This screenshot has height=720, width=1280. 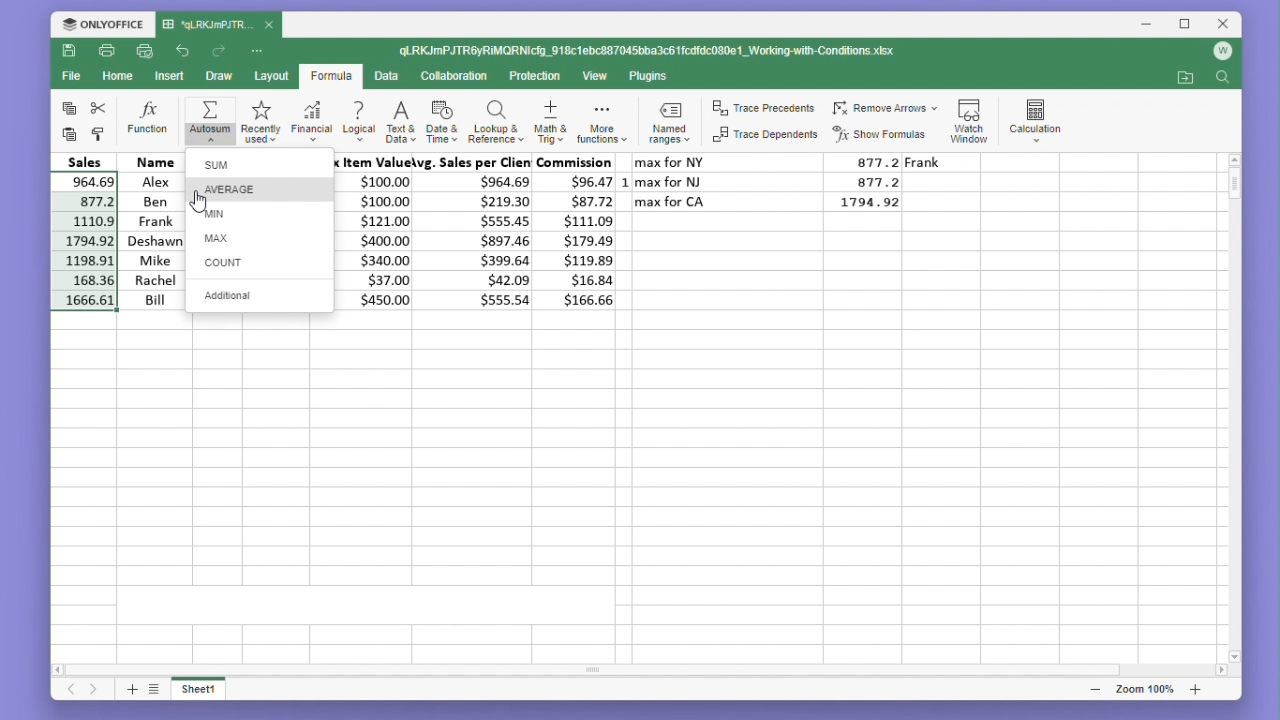 What do you see at coordinates (82, 240) in the screenshot?
I see `Selected cells` at bounding box center [82, 240].